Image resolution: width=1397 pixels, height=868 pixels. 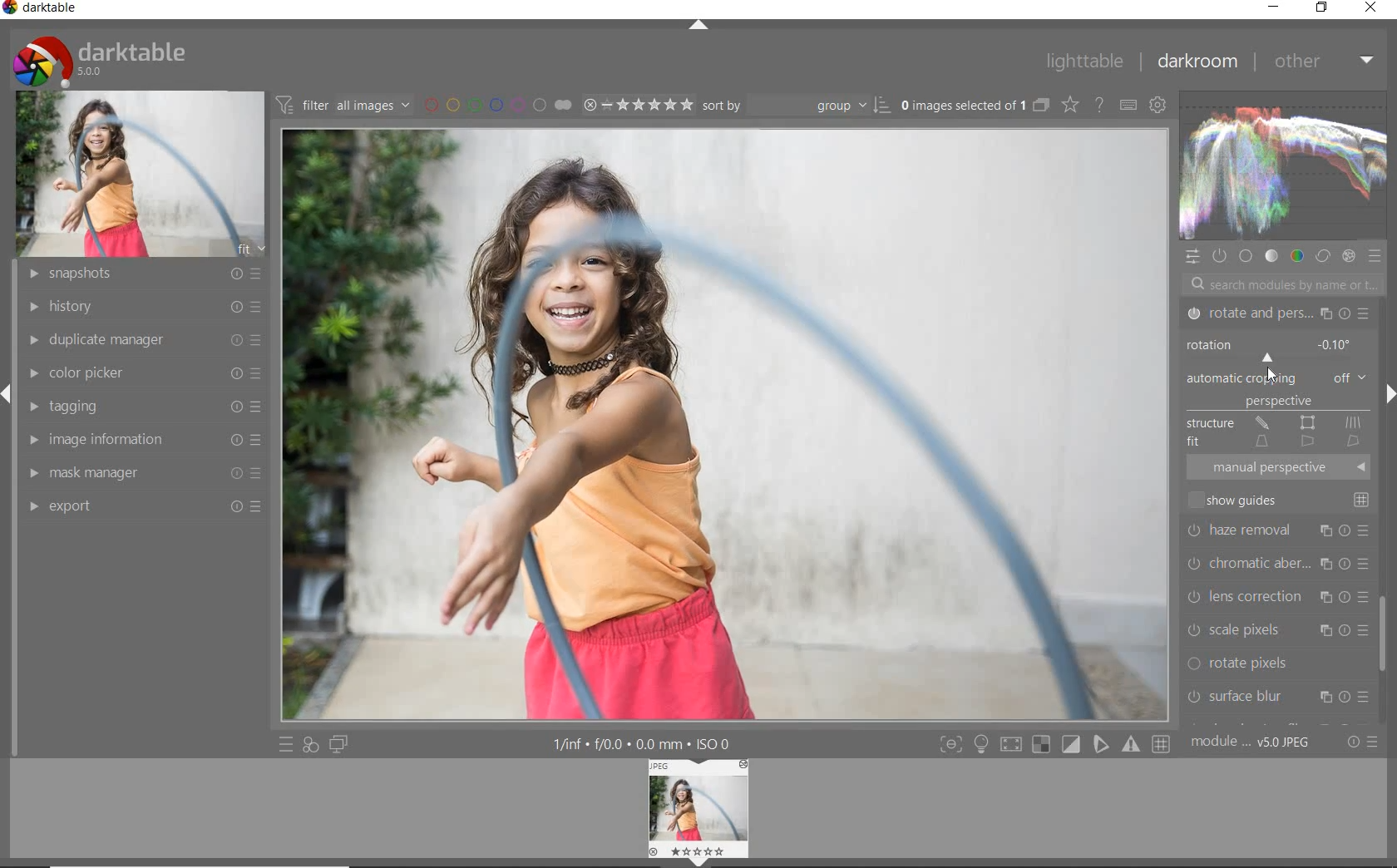 I want to click on expand/collapse, so click(x=1390, y=395).